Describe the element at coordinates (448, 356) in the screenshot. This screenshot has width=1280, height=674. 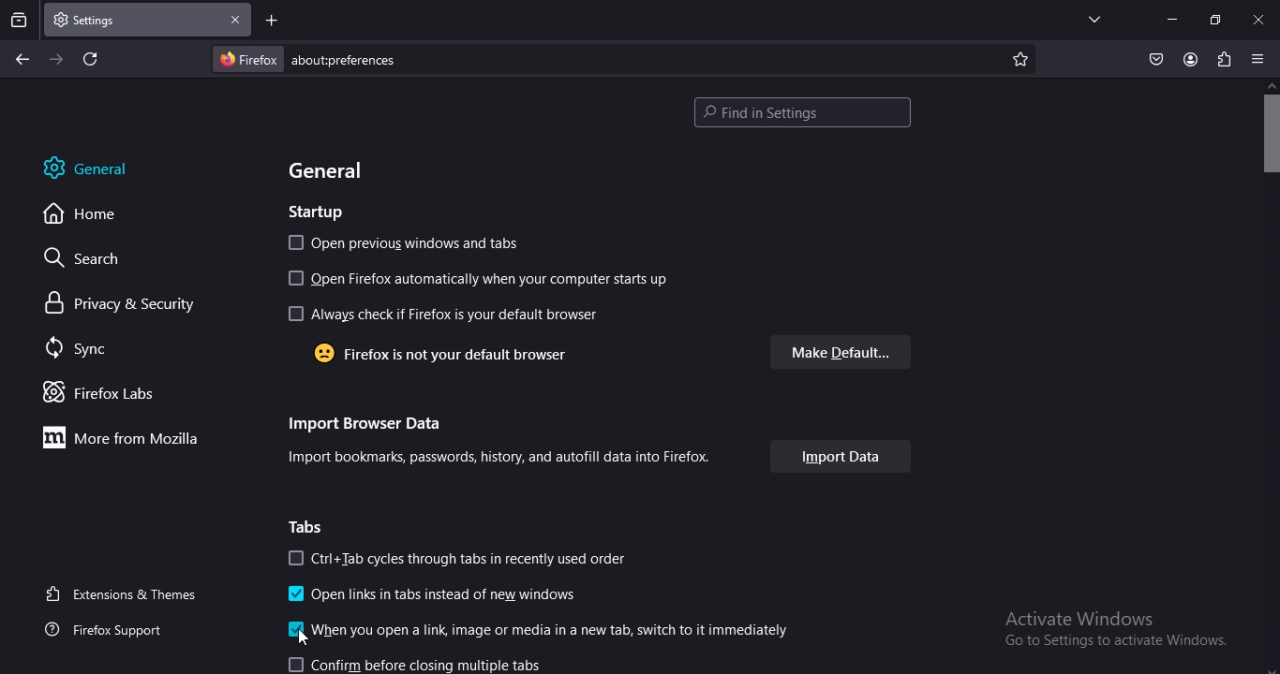
I see `firefox is not your default browser` at that location.